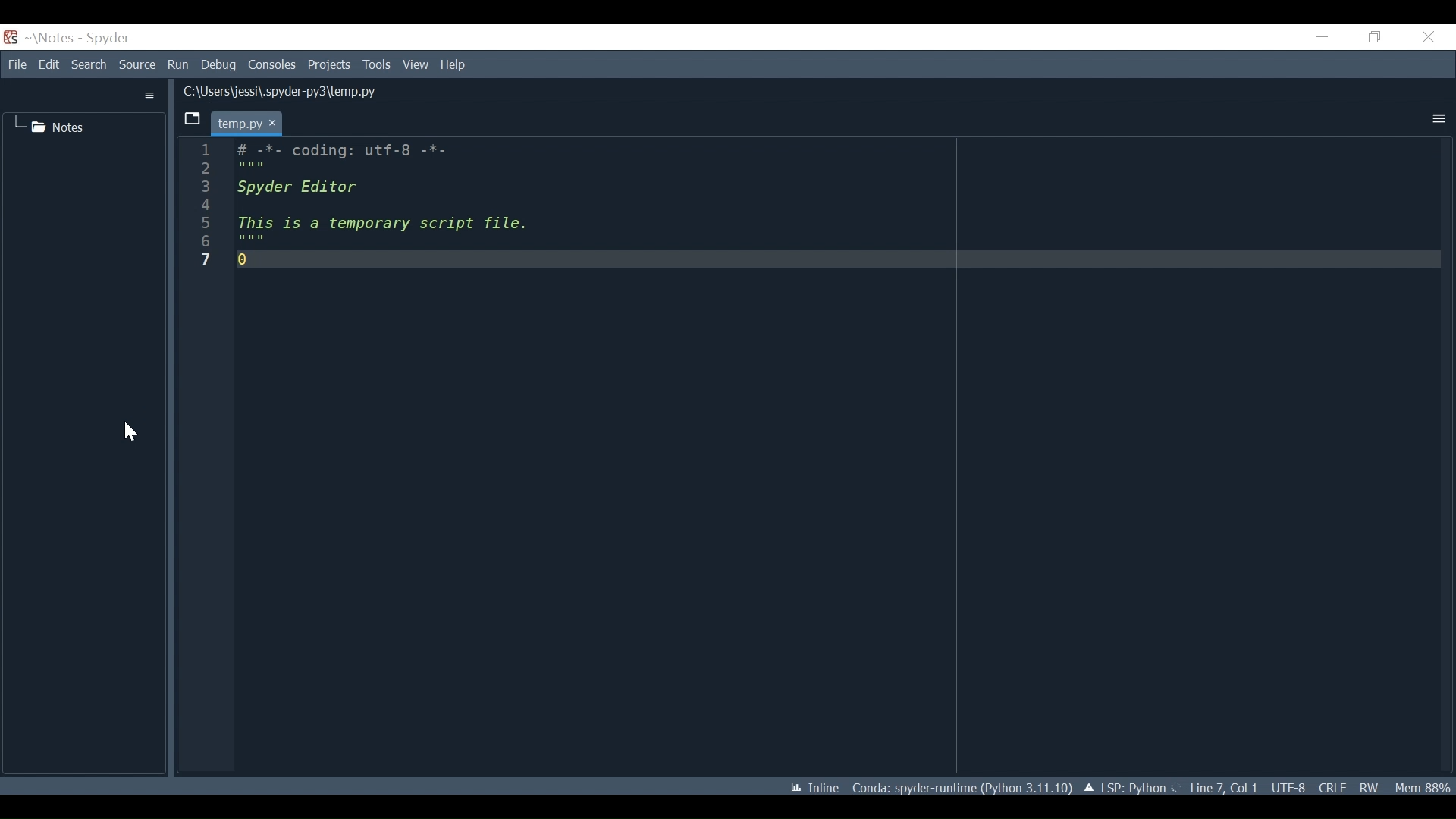 This screenshot has height=819, width=1456. Describe the element at coordinates (328, 65) in the screenshot. I see `Projects` at that location.